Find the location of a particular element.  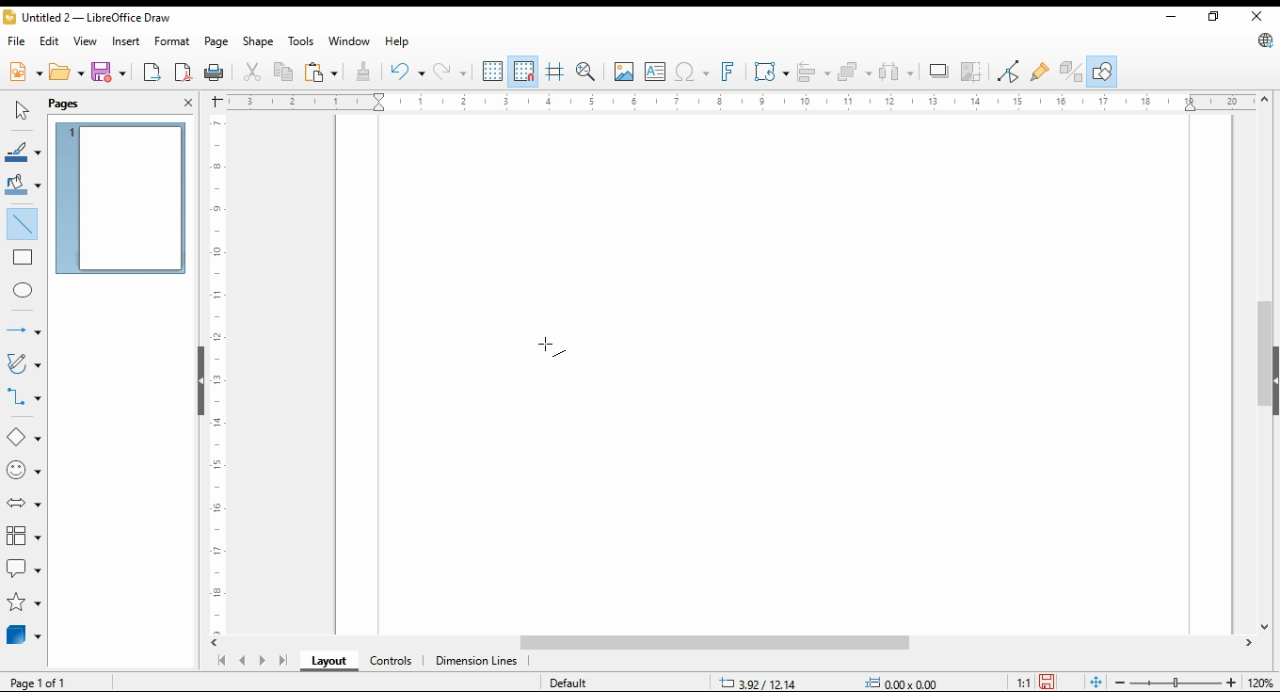

tools is located at coordinates (300, 41).